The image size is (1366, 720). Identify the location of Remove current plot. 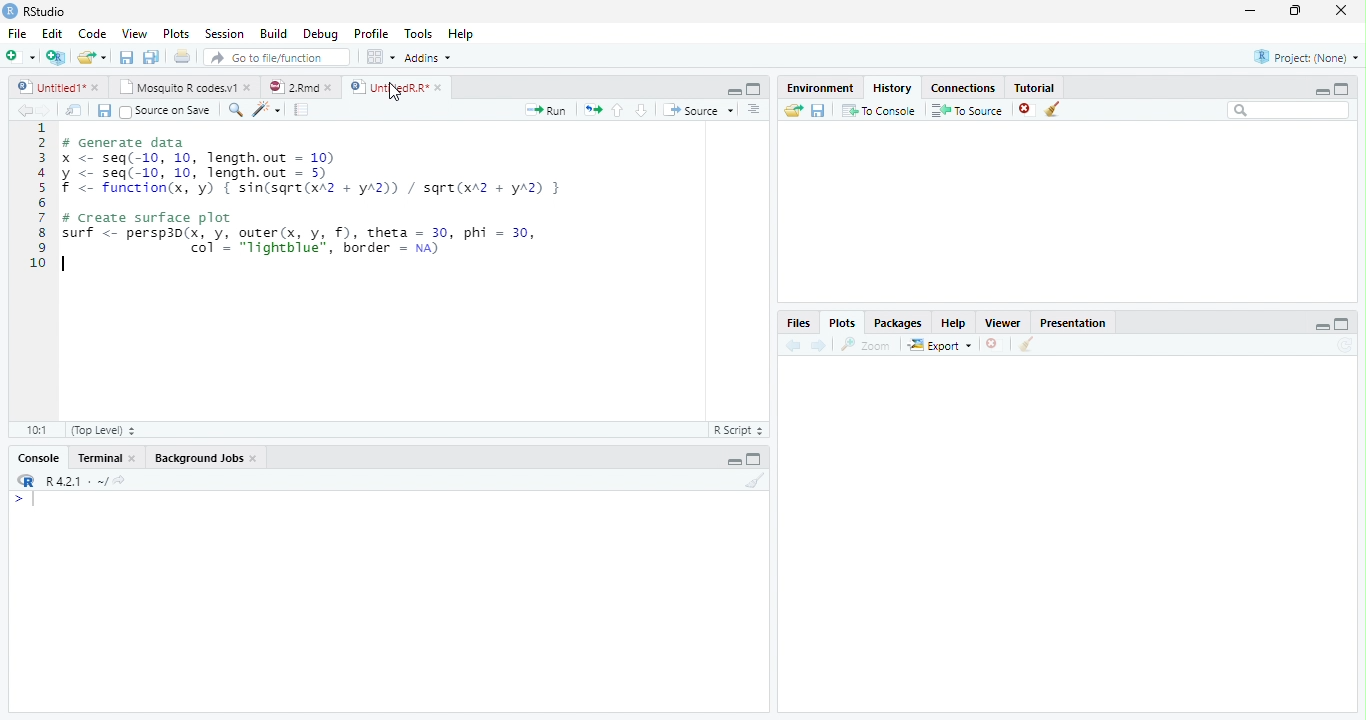
(996, 344).